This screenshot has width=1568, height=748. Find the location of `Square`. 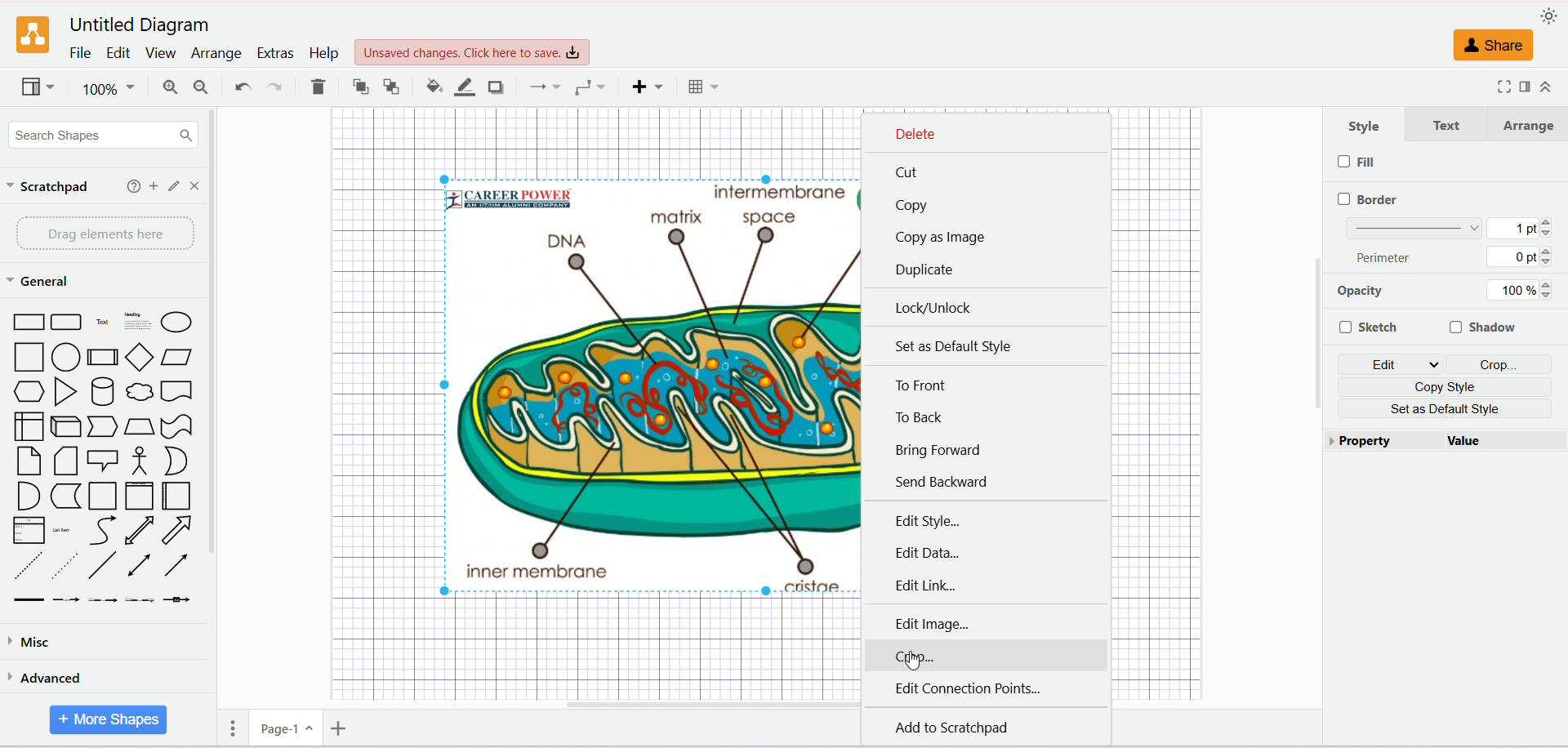

Square is located at coordinates (29, 358).